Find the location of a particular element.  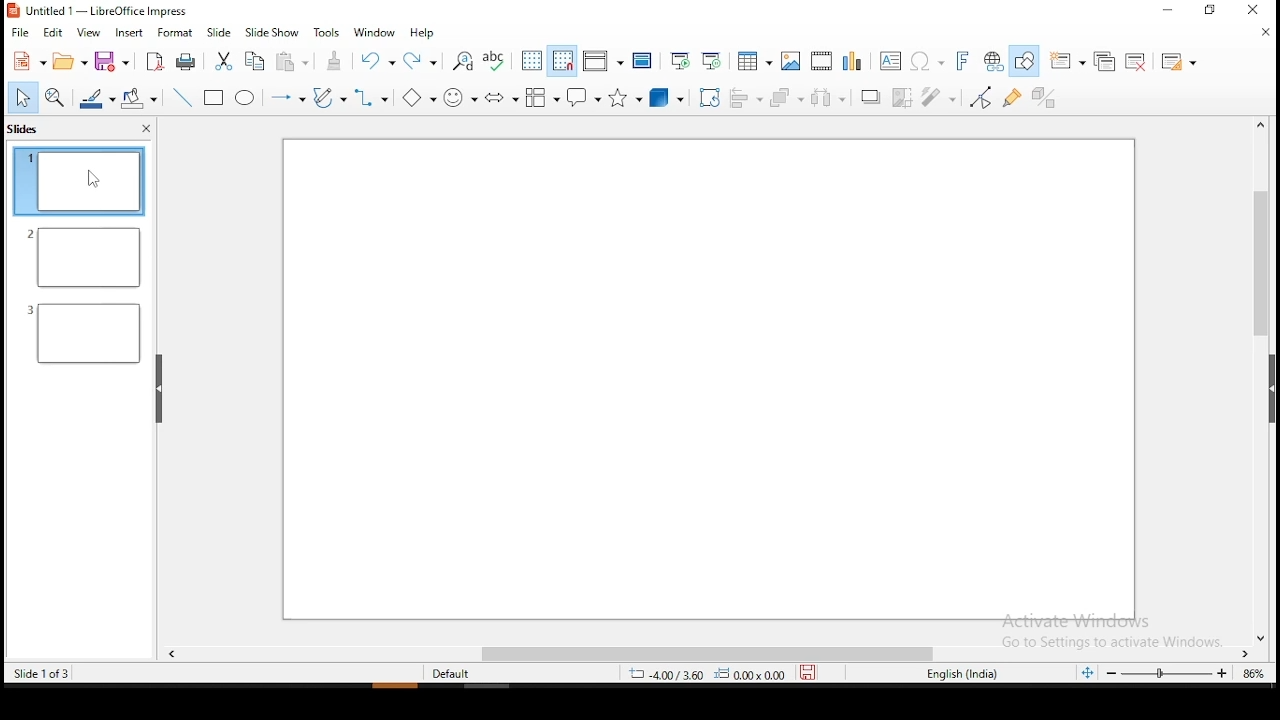

cut is located at coordinates (221, 62).